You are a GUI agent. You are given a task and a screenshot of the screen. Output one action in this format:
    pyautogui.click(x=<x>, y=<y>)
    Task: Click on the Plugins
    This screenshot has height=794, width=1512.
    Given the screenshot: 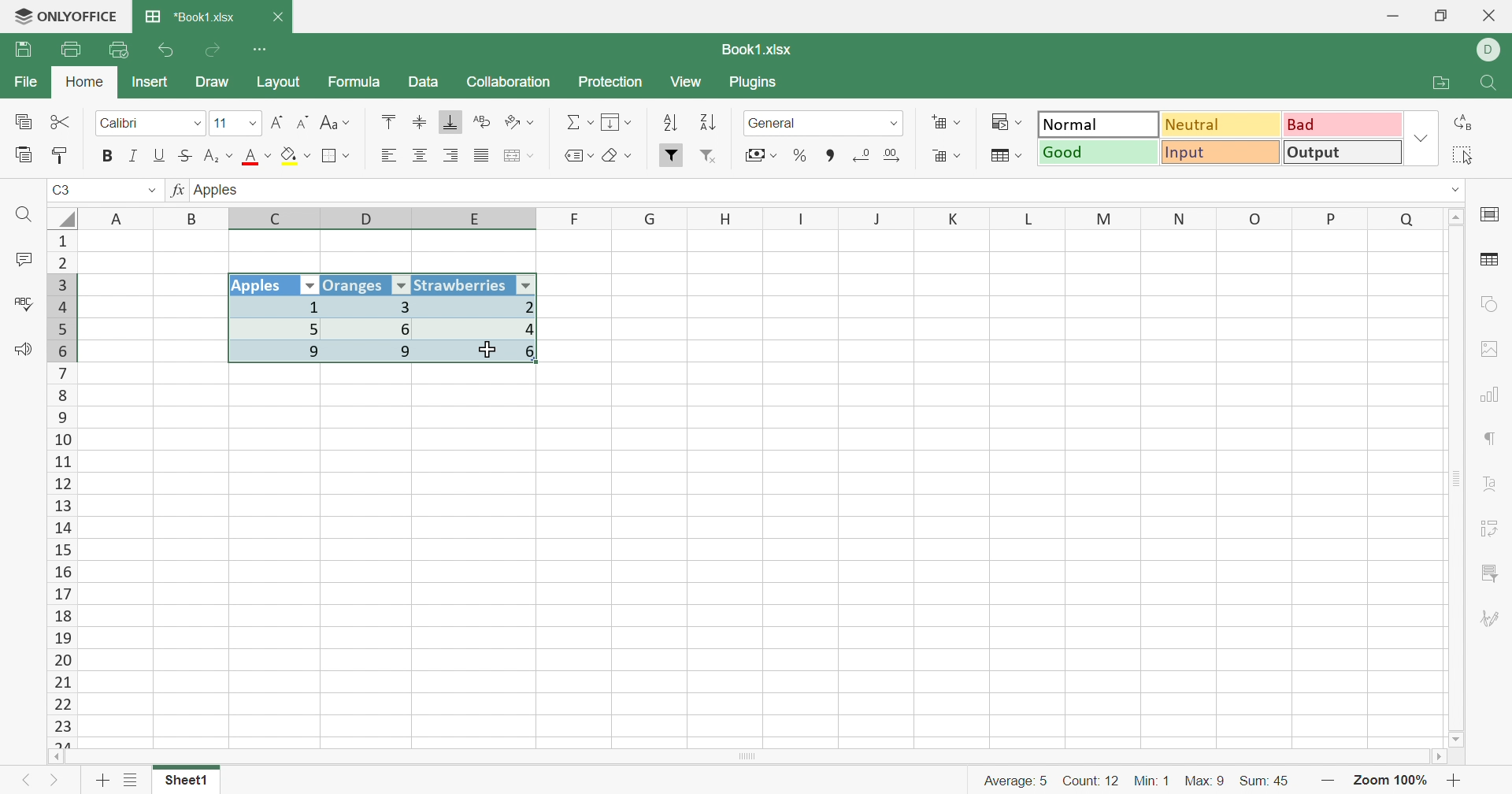 What is the action you would take?
    pyautogui.click(x=757, y=84)
    